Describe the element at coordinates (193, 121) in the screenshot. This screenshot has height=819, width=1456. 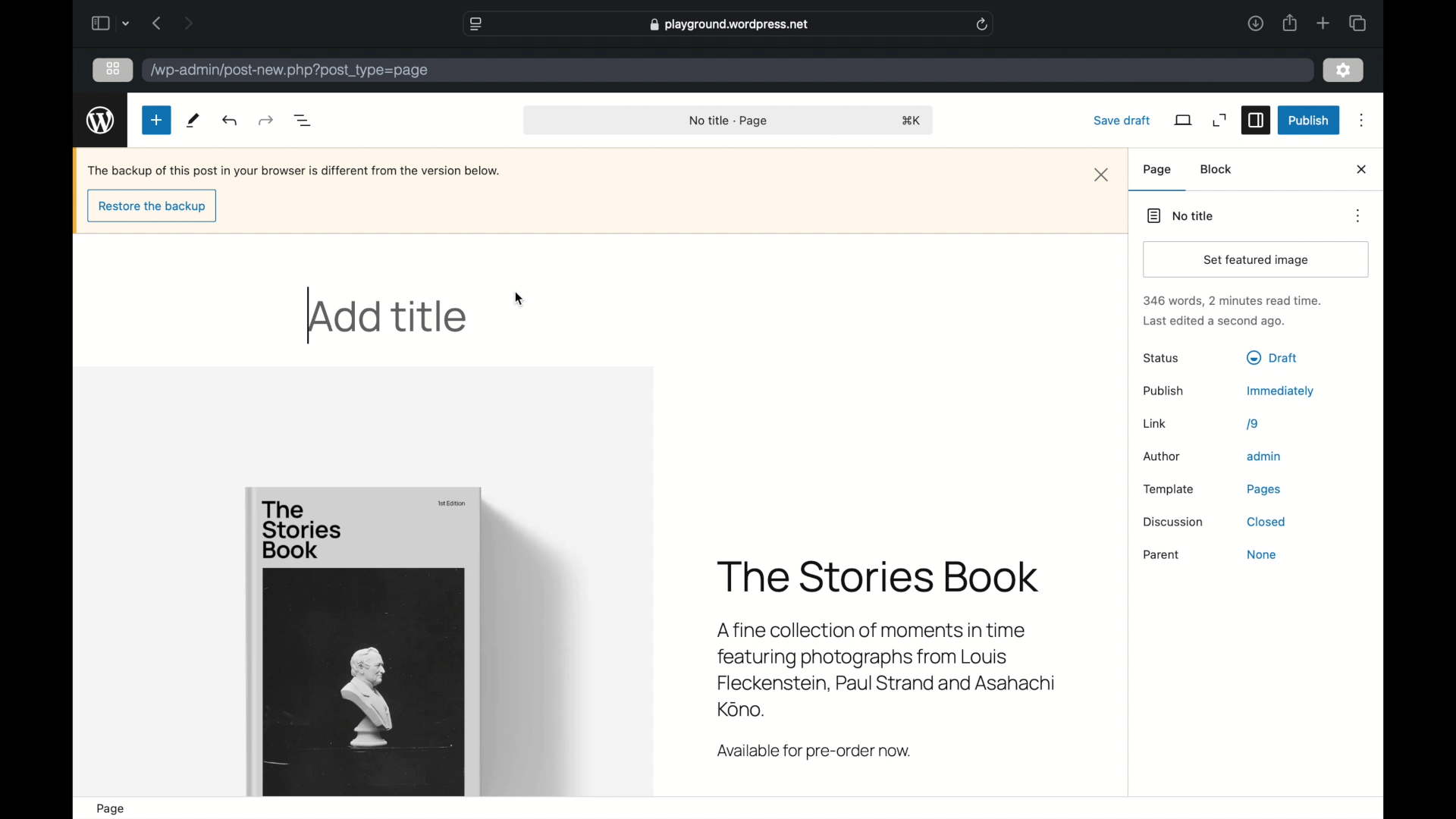
I see `tools` at that location.